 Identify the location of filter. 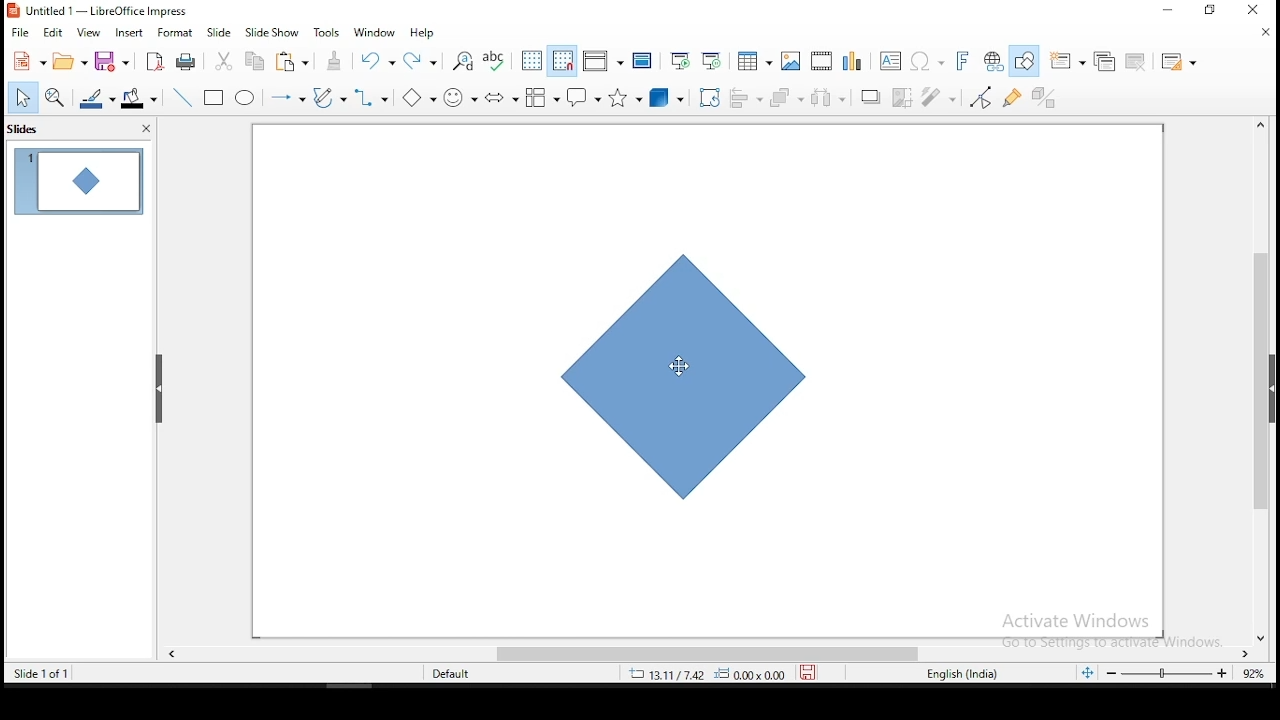
(941, 98).